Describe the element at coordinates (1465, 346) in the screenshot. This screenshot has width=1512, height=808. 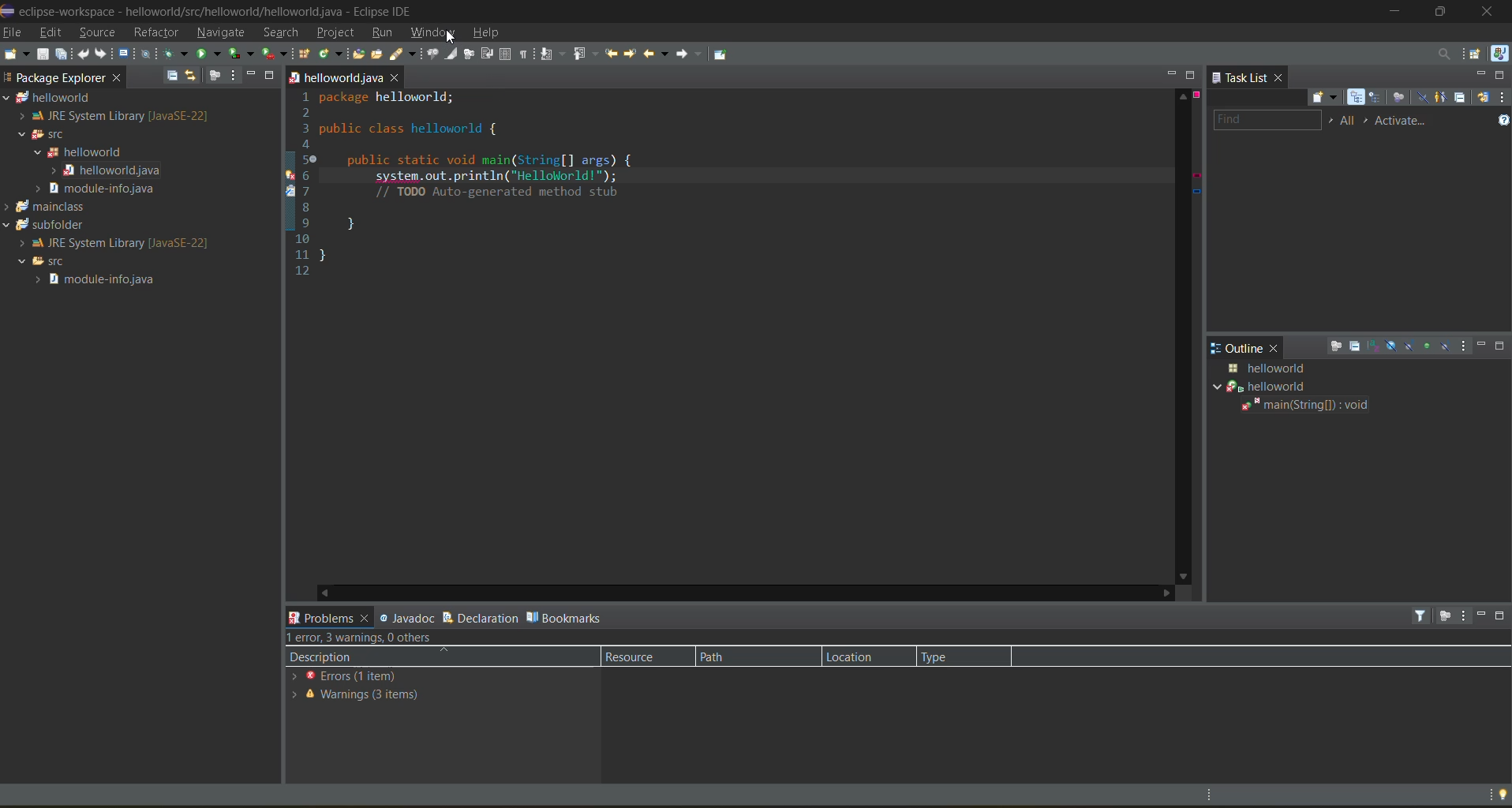
I see `view menu` at that location.